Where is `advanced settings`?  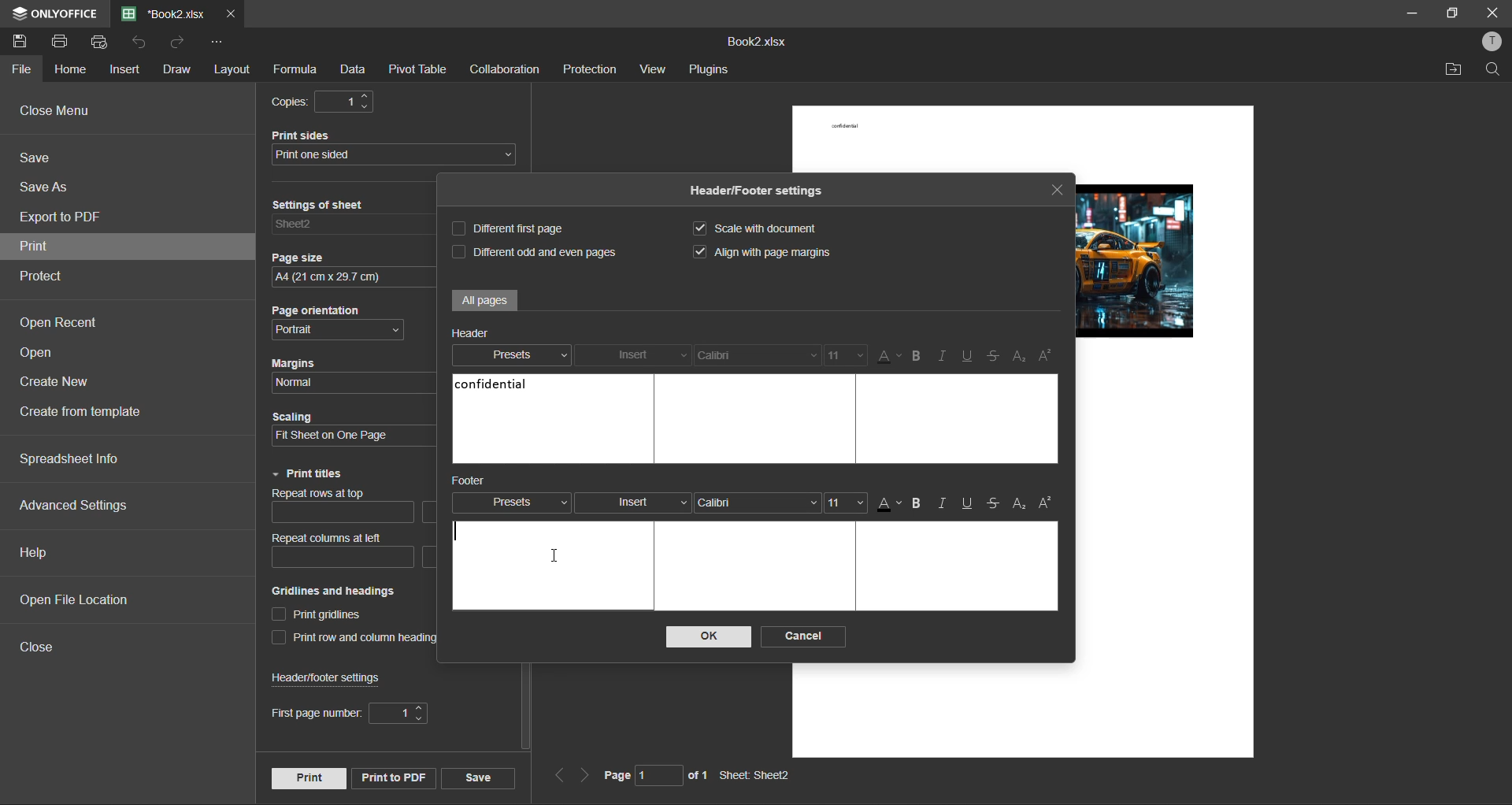
advanced settings is located at coordinates (80, 507).